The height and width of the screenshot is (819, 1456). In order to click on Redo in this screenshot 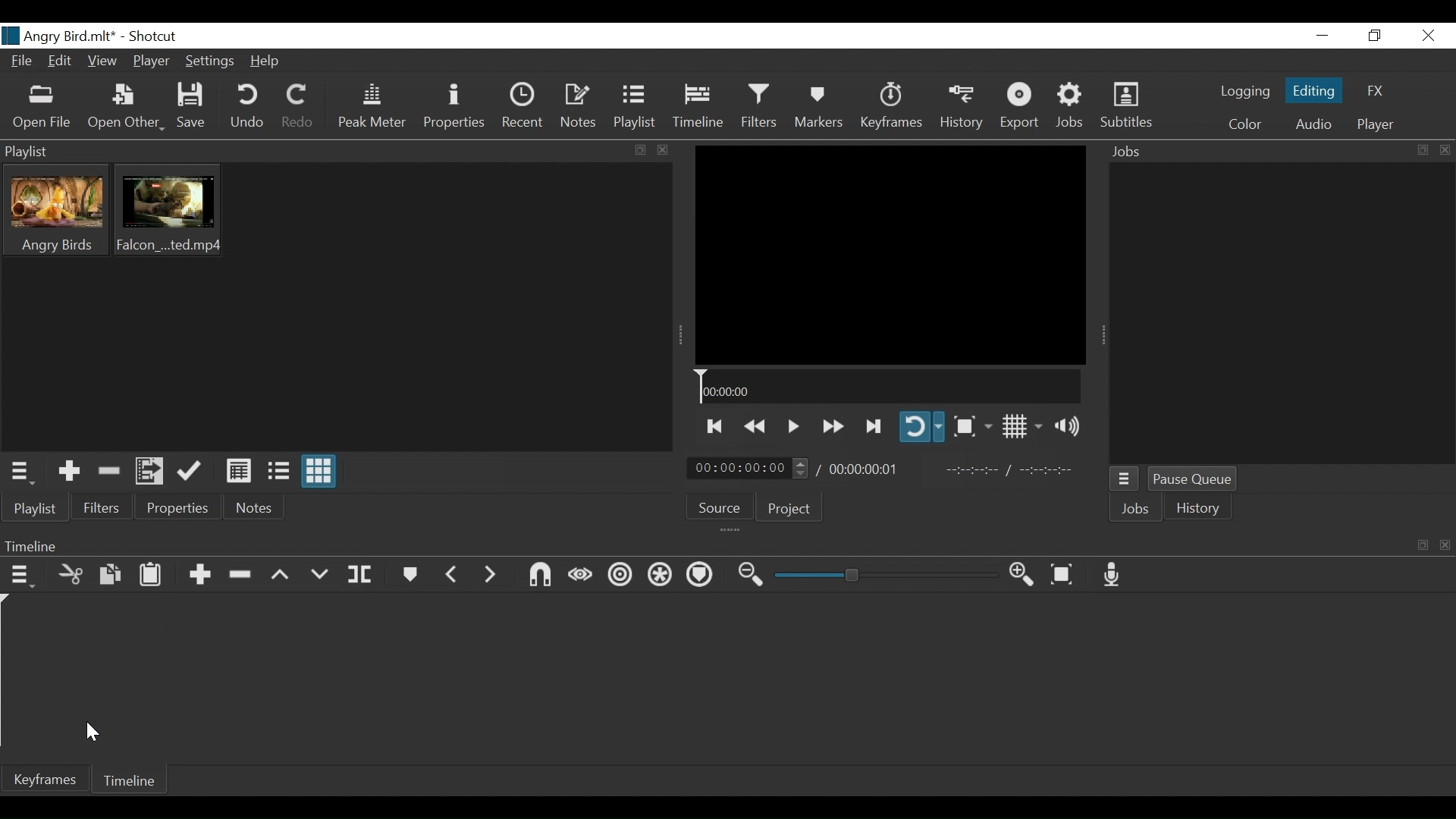, I will do `click(298, 108)`.